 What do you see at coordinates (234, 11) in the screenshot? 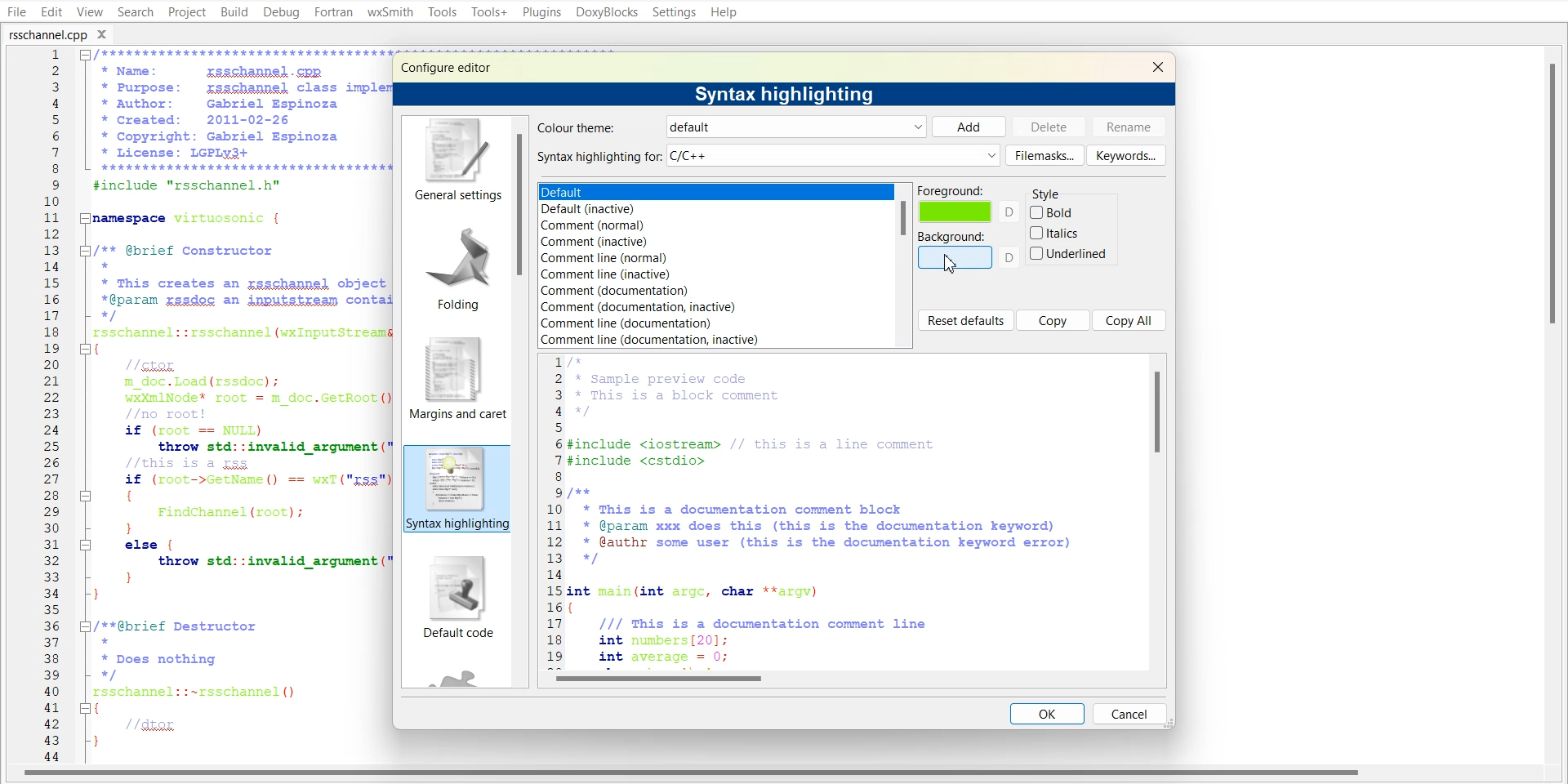
I see `Build` at bounding box center [234, 11].